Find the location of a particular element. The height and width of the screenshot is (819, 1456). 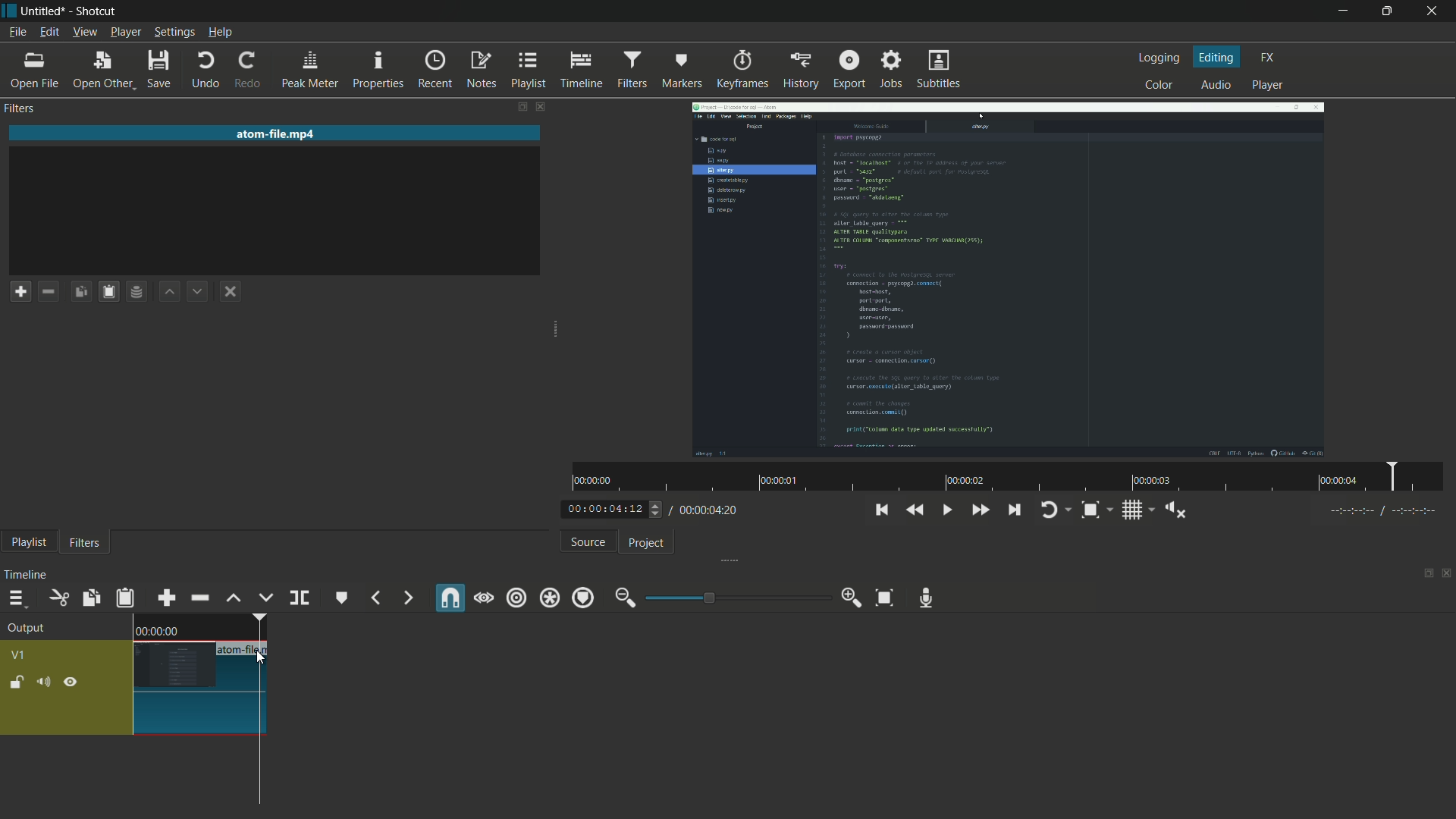

previous marker is located at coordinates (377, 598).